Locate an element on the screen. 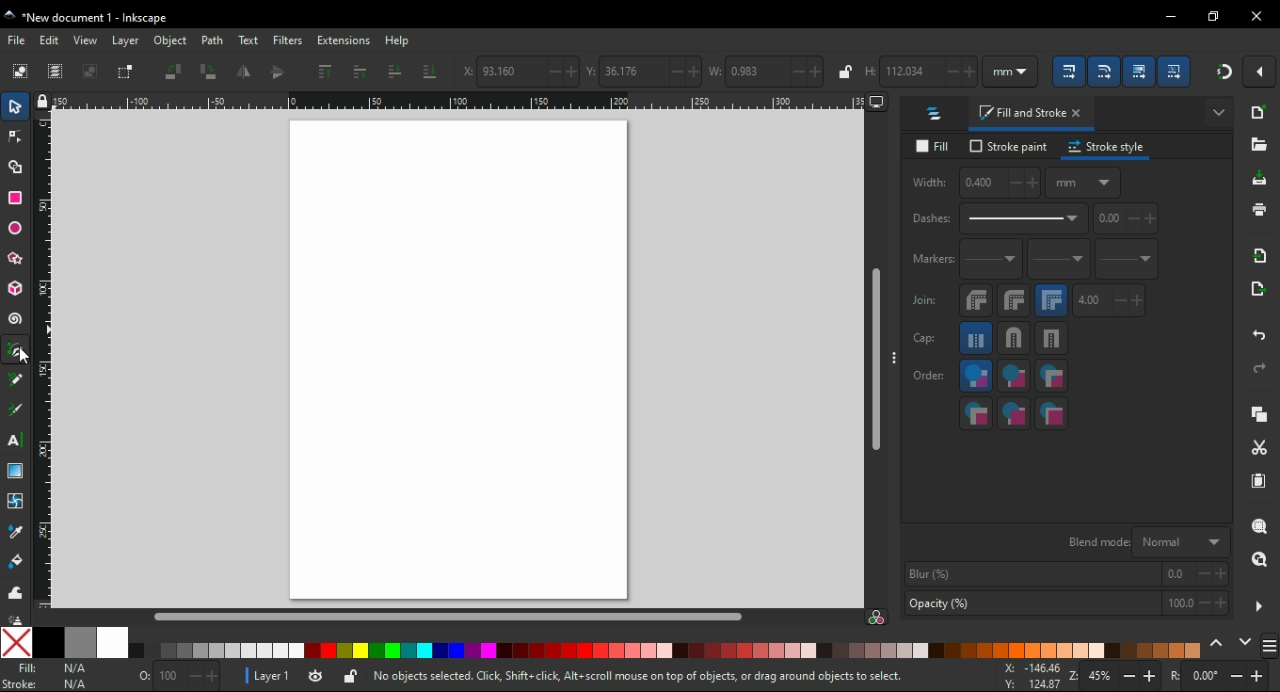  help is located at coordinates (397, 40).